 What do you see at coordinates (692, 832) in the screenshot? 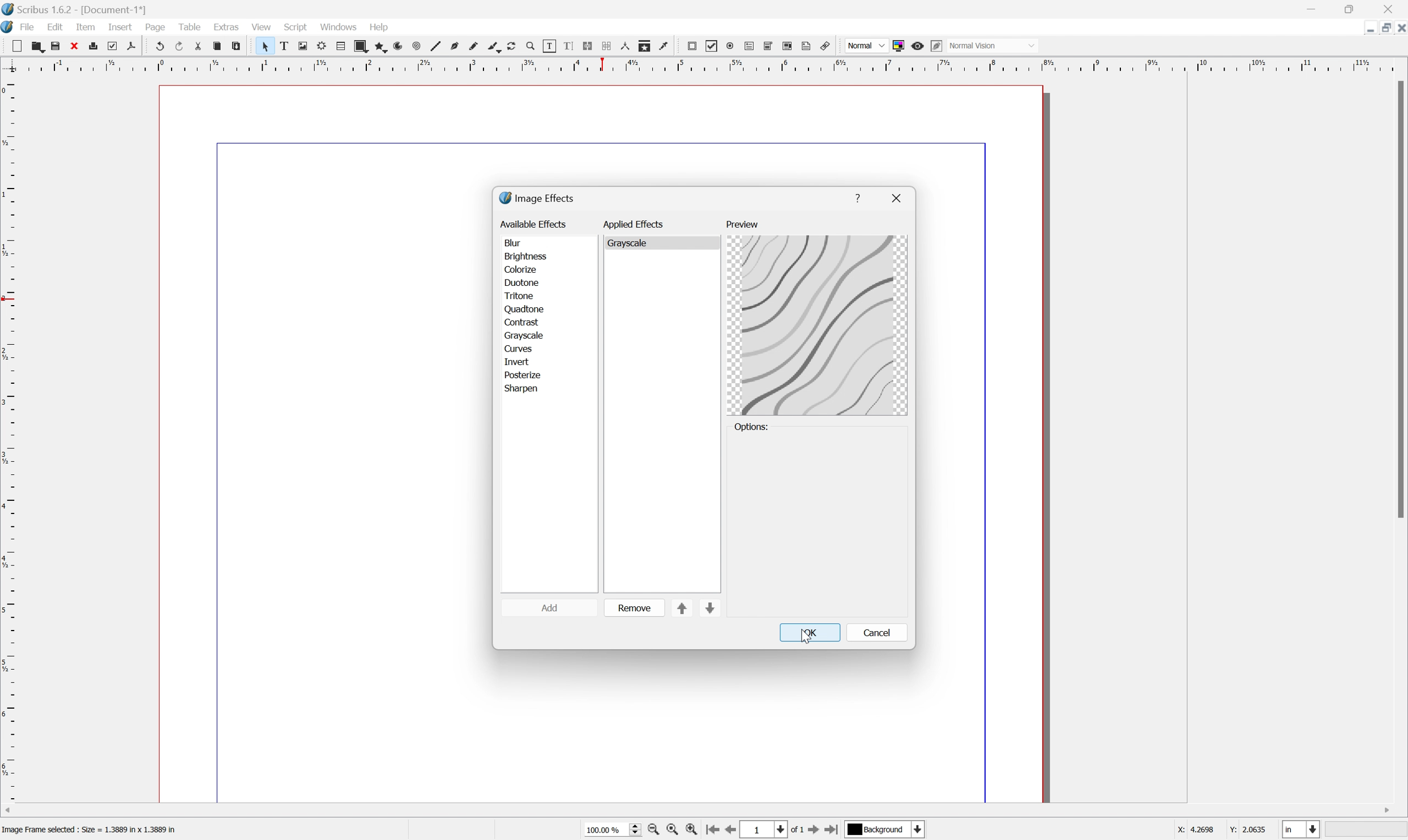
I see `Zoom in by the stepping value in tools preferences` at bounding box center [692, 832].